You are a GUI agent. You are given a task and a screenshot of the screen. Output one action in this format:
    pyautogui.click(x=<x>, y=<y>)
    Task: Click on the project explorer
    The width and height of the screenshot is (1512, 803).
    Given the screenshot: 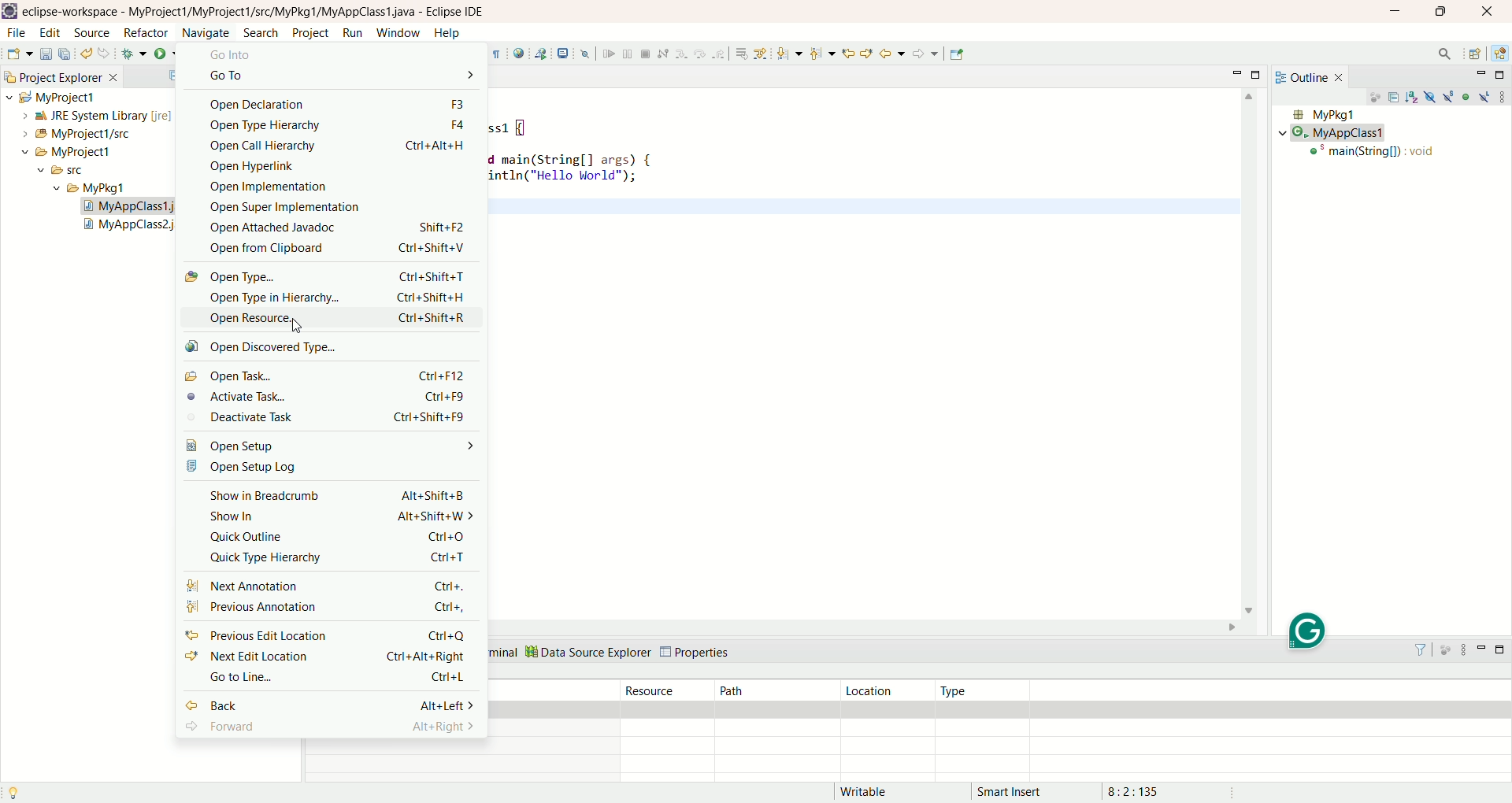 What is the action you would take?
    pyautogui.click(x=60, y=76)
    